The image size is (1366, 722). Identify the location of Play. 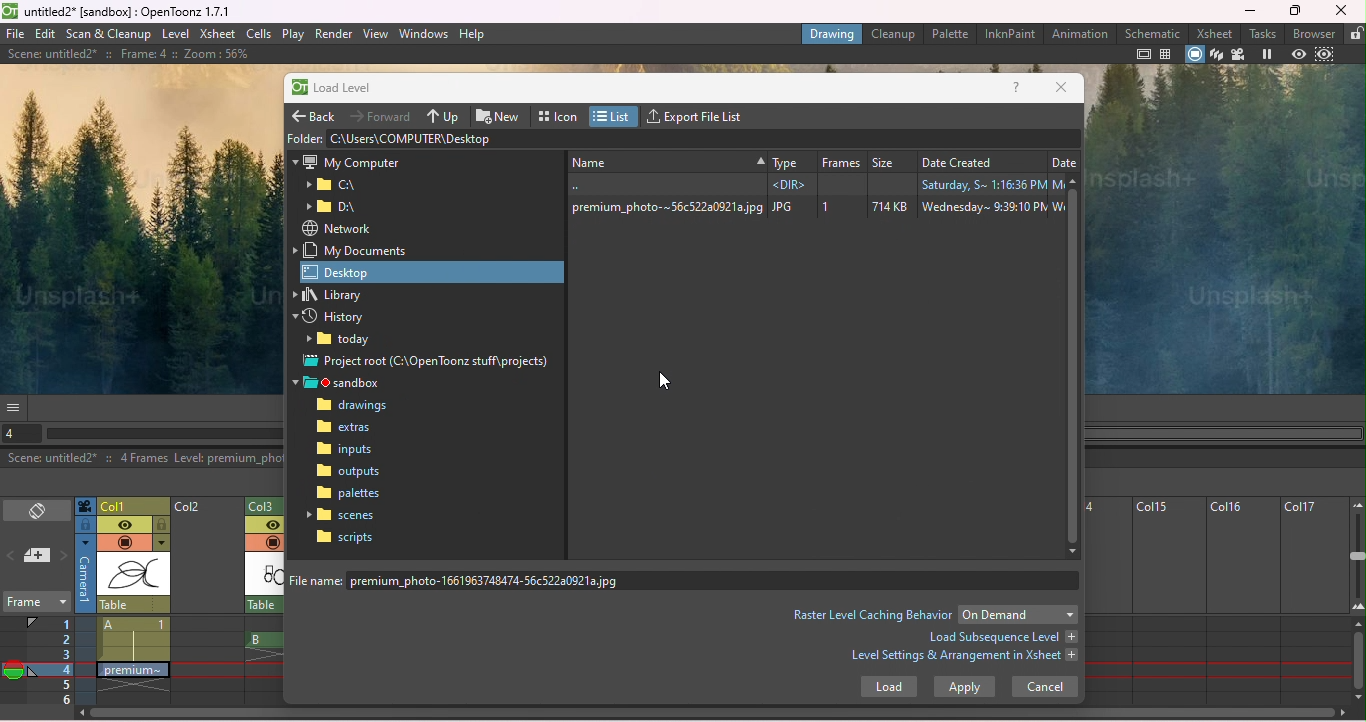
(293, 34).